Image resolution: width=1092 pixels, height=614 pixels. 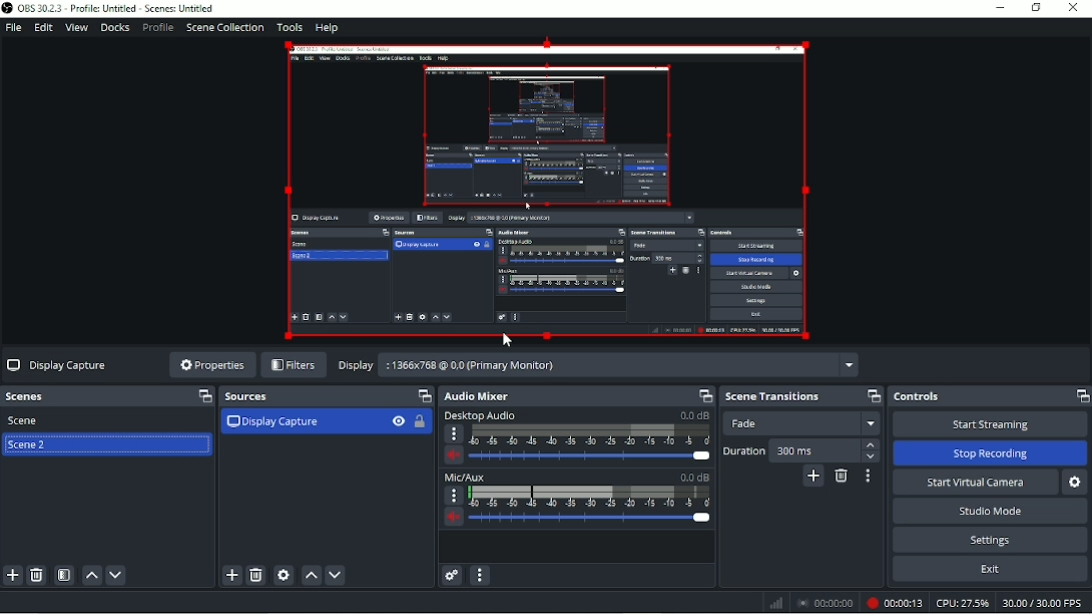 What do you see at coordinates (455, 456) in the screenshot?
I see `Volume` at bounding box center [455, 456].